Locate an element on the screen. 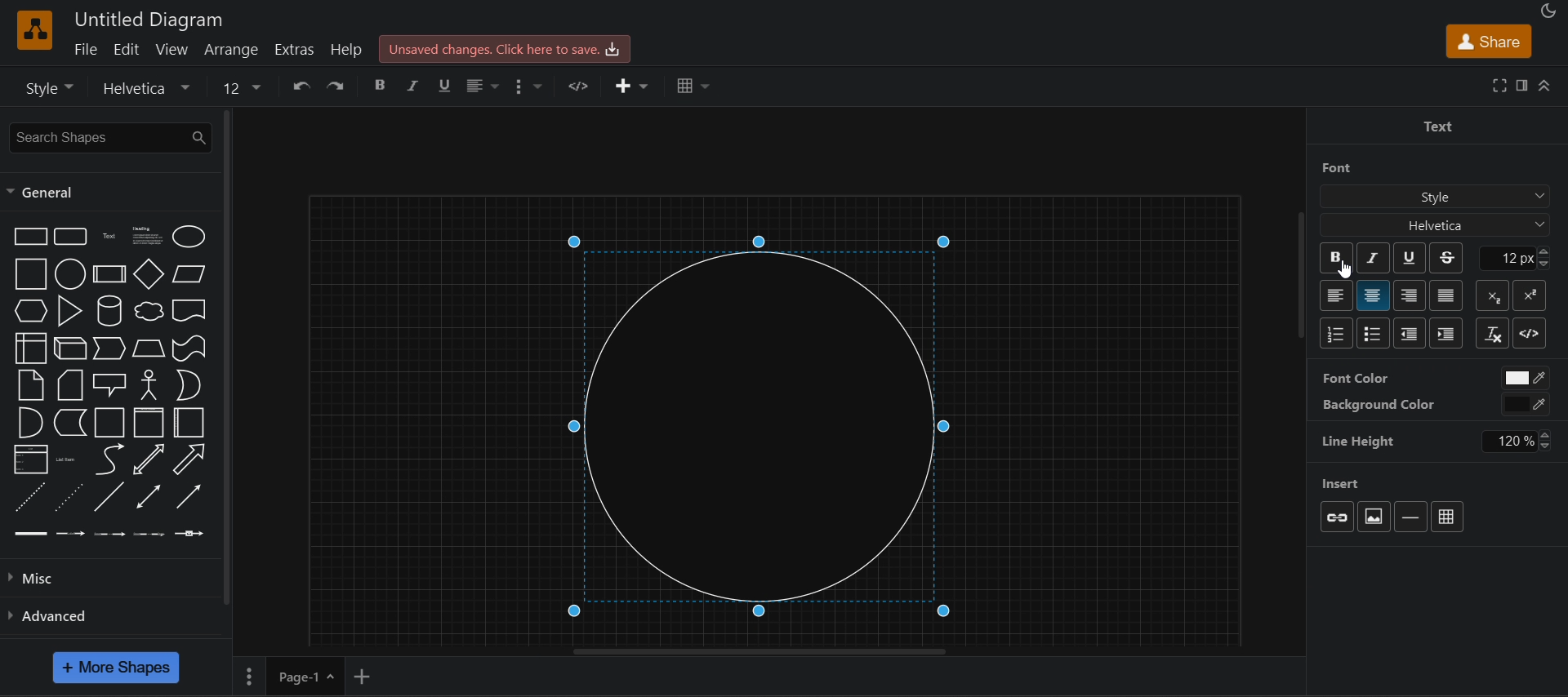 This screenshot has height=697, width=1568. rectangle is located at coordinates (29, 237).